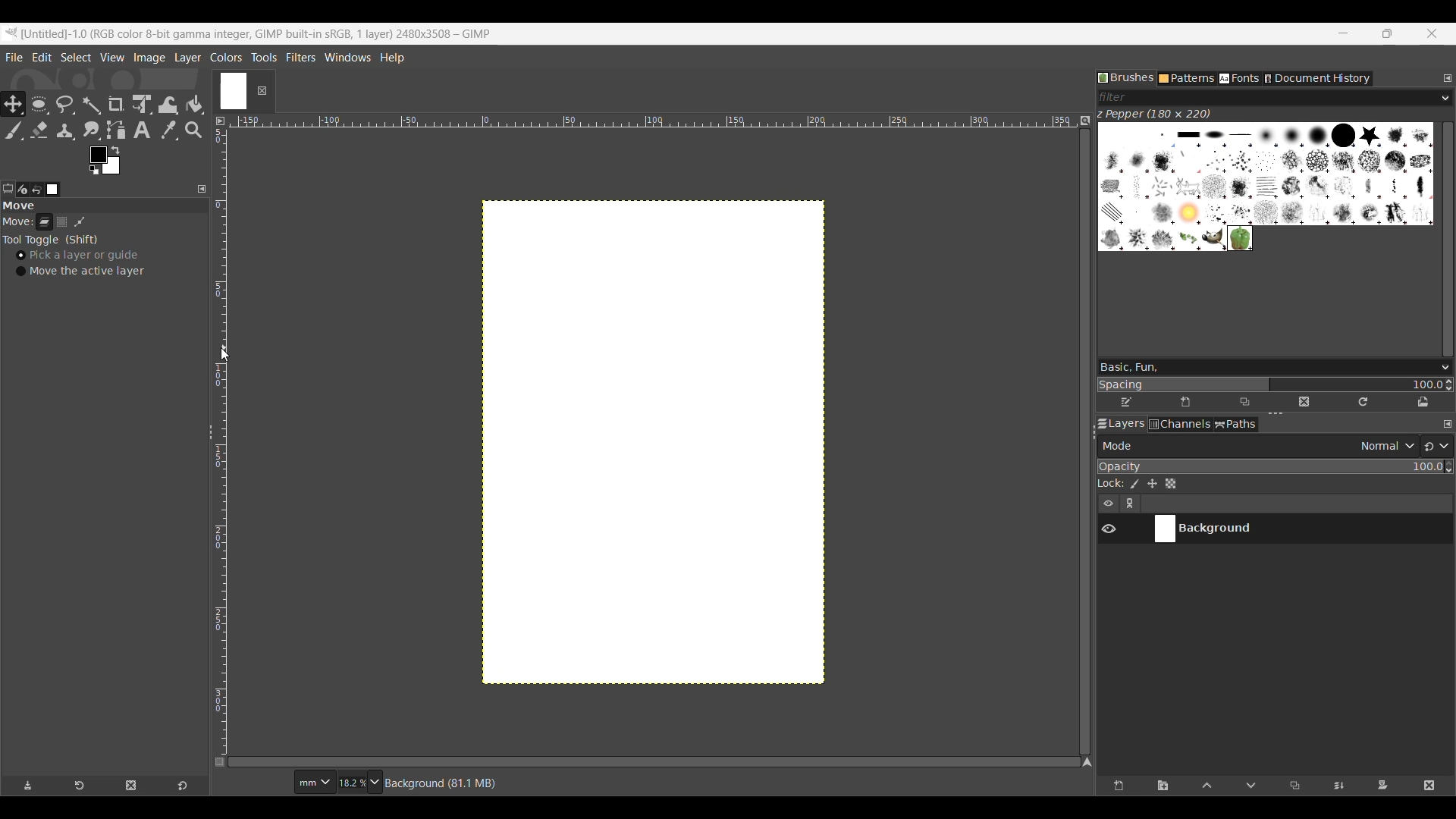 The image size is (1456, 819). I want to click on Images, so click(55, 190).